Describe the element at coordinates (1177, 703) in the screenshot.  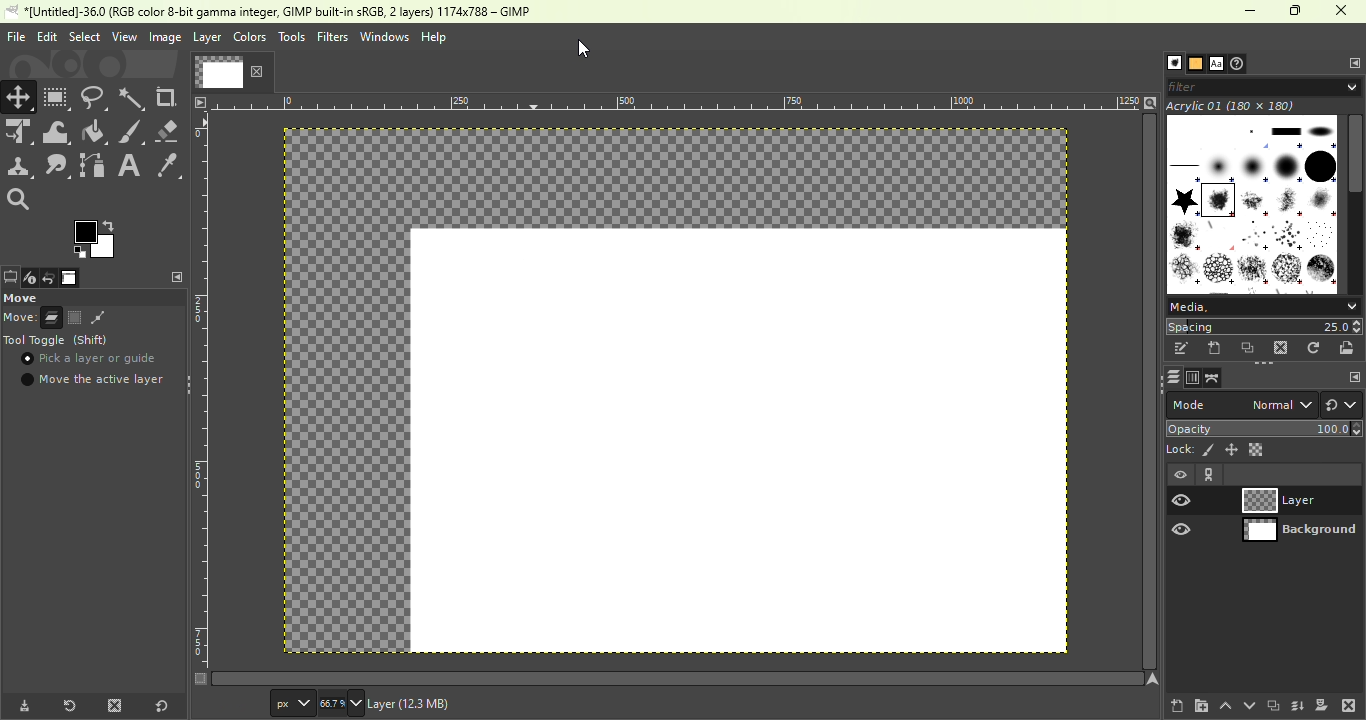
I see `Create a new layer` at that location.